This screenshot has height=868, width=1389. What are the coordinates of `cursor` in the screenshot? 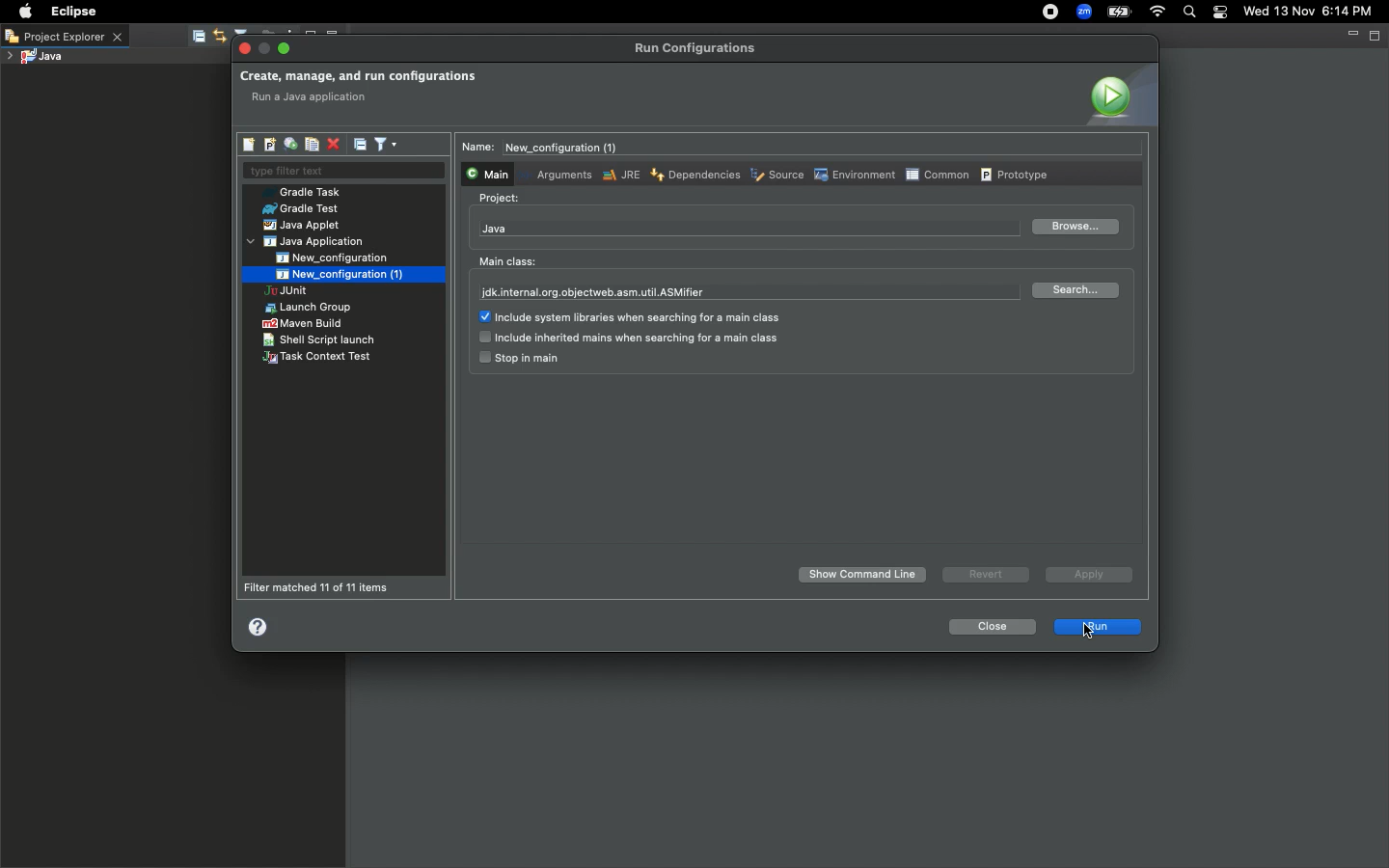 It's located at (1092, 631).